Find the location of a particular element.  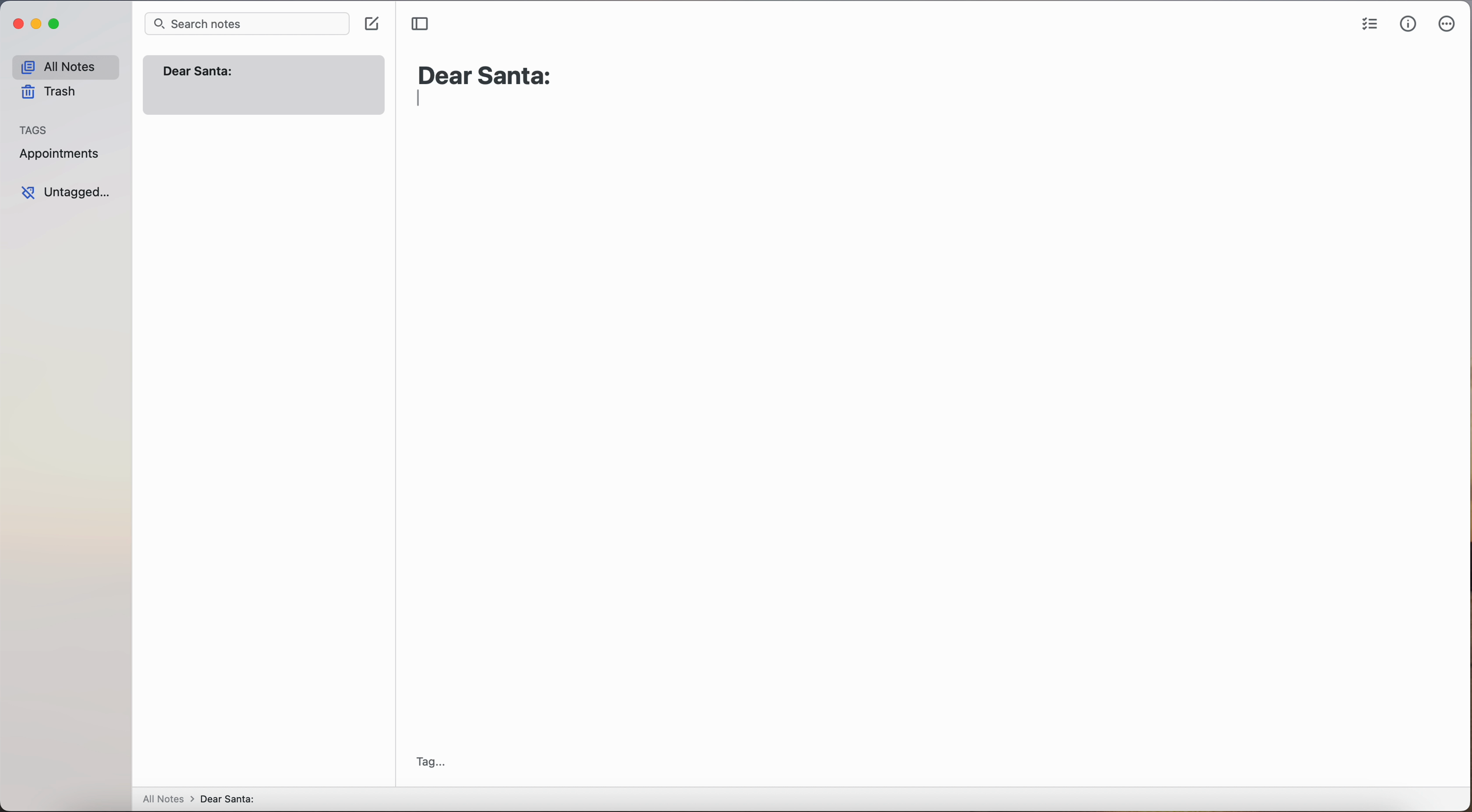

toggle sidebar is located at coordinates (418, 24).